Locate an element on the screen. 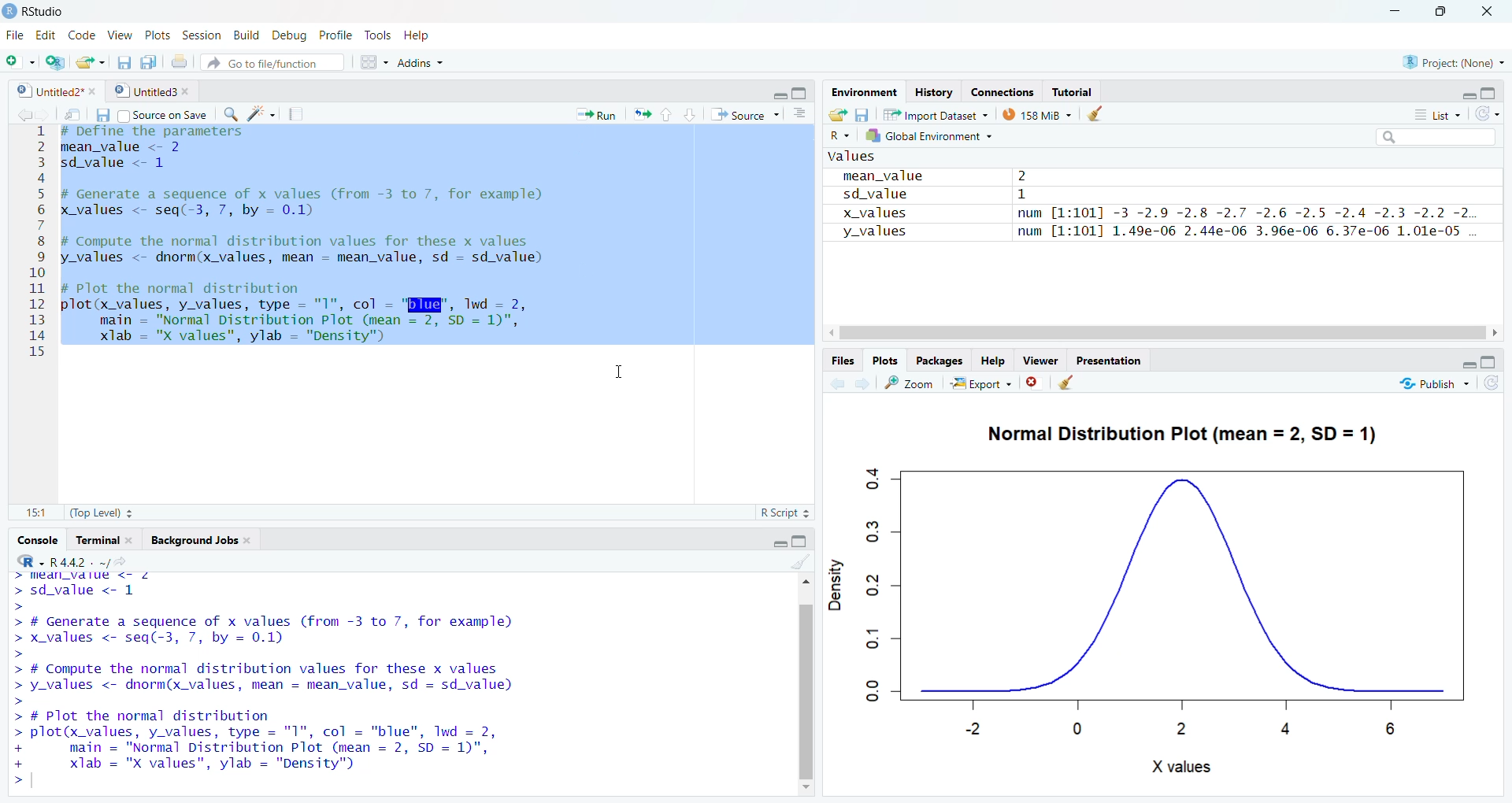 Image resolution: width=1512 pixels, height=803 pixels. RScript  is located at coordinates (776, 510).